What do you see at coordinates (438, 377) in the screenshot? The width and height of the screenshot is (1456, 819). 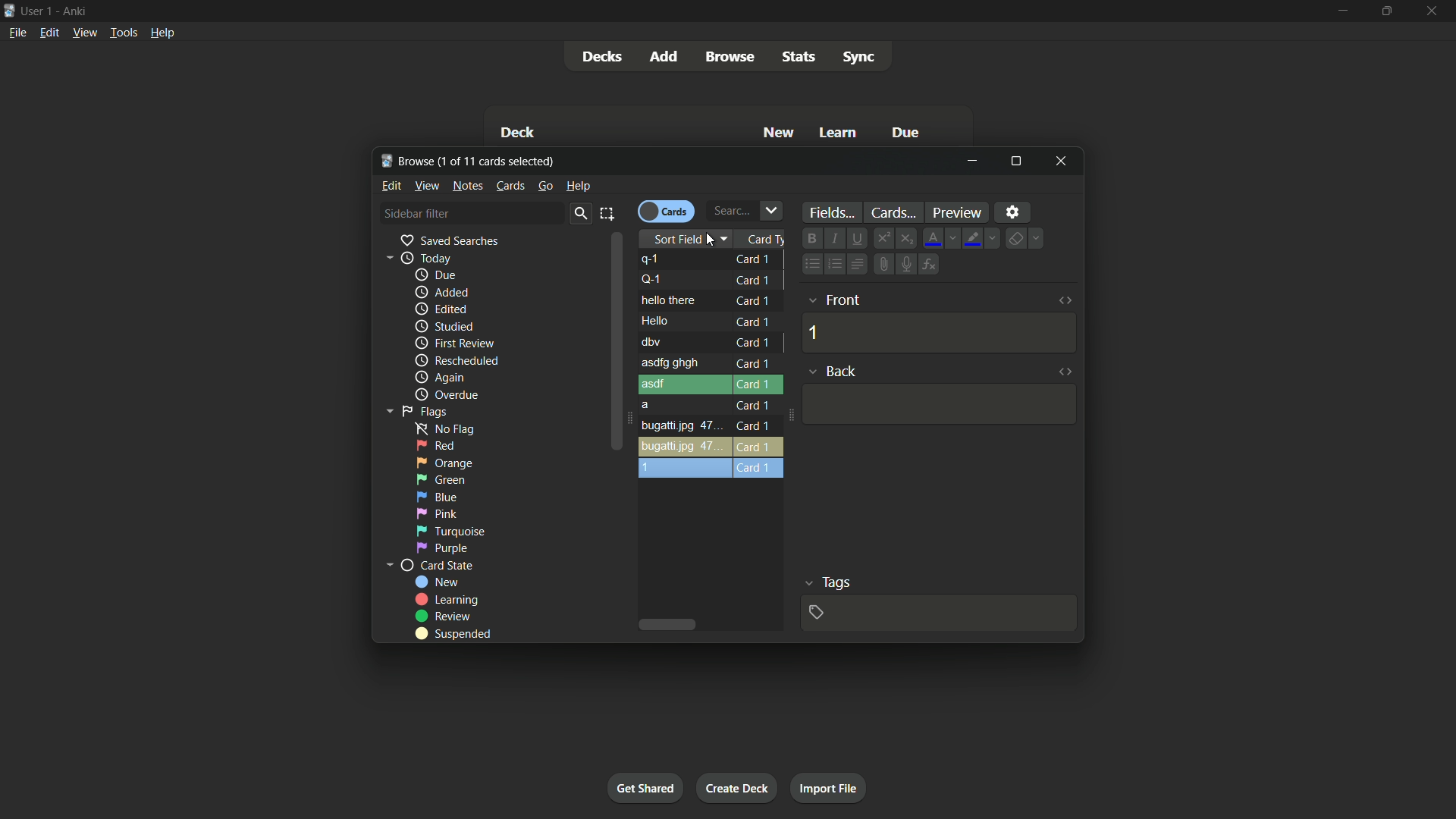 I see `again` at bounding box center [438, 377].